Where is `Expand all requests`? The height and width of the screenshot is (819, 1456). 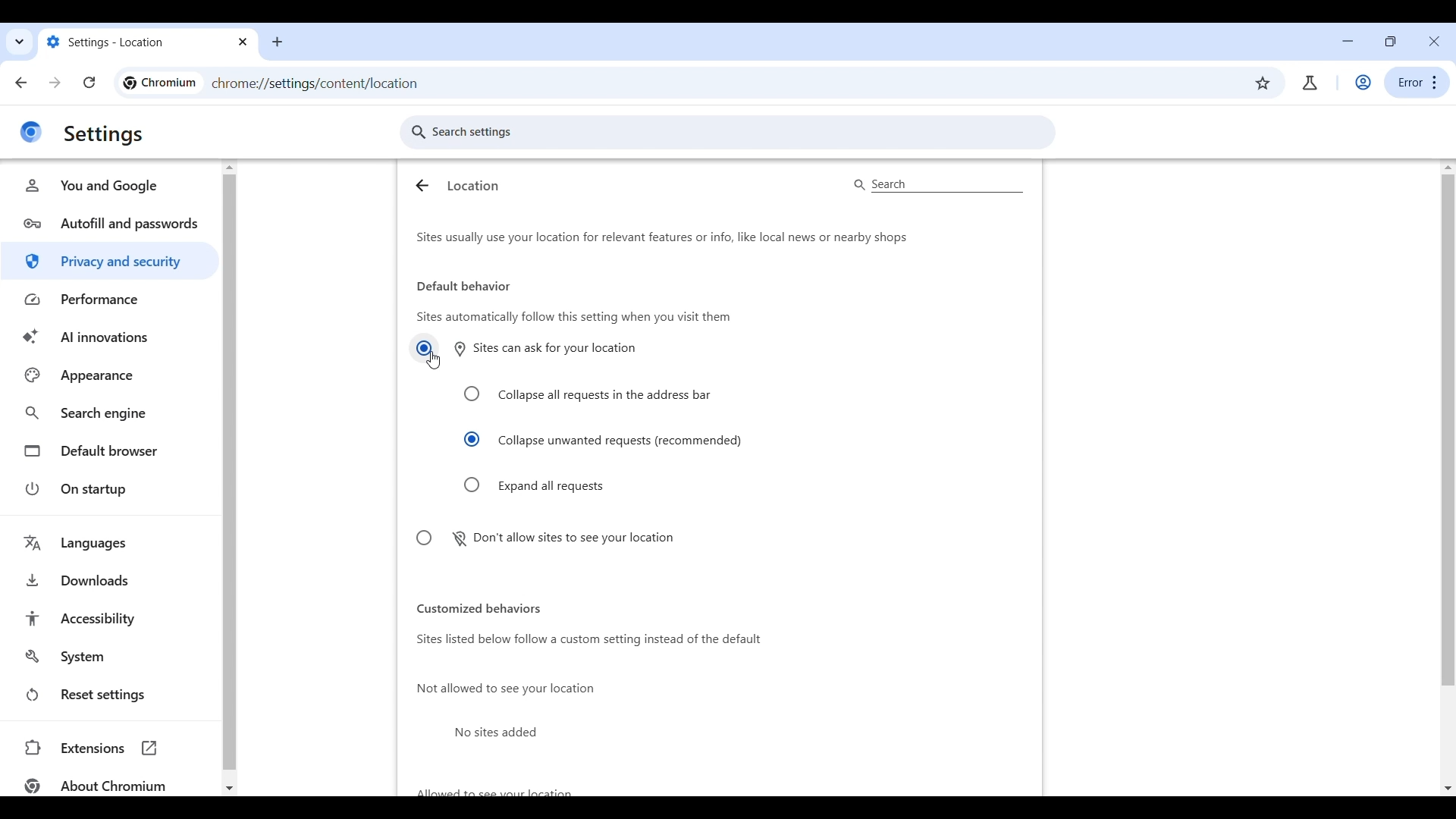
Expand all requests is located at coordinates (535, 485).